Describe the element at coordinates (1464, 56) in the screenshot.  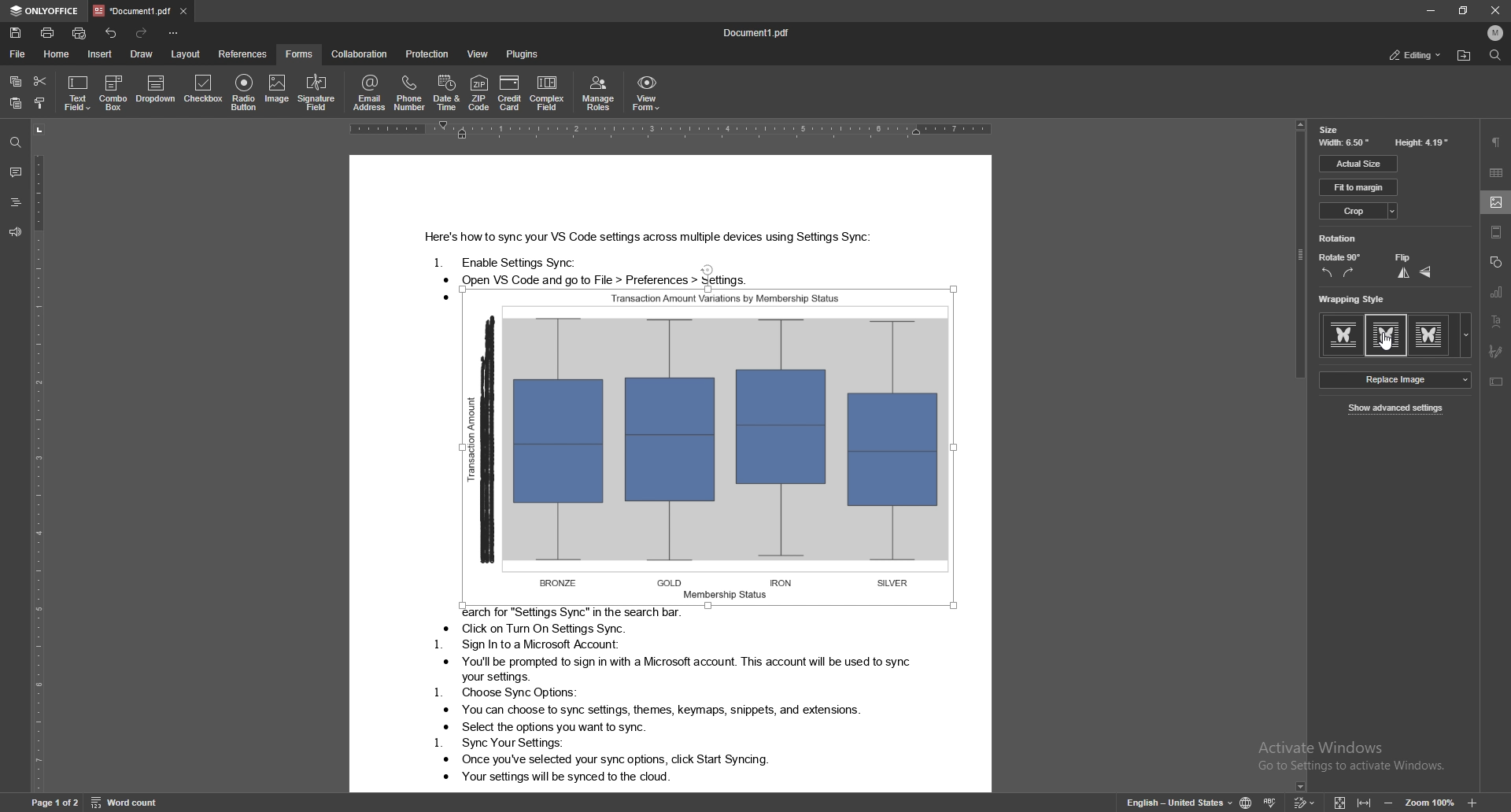
I see `locate file` at that location.